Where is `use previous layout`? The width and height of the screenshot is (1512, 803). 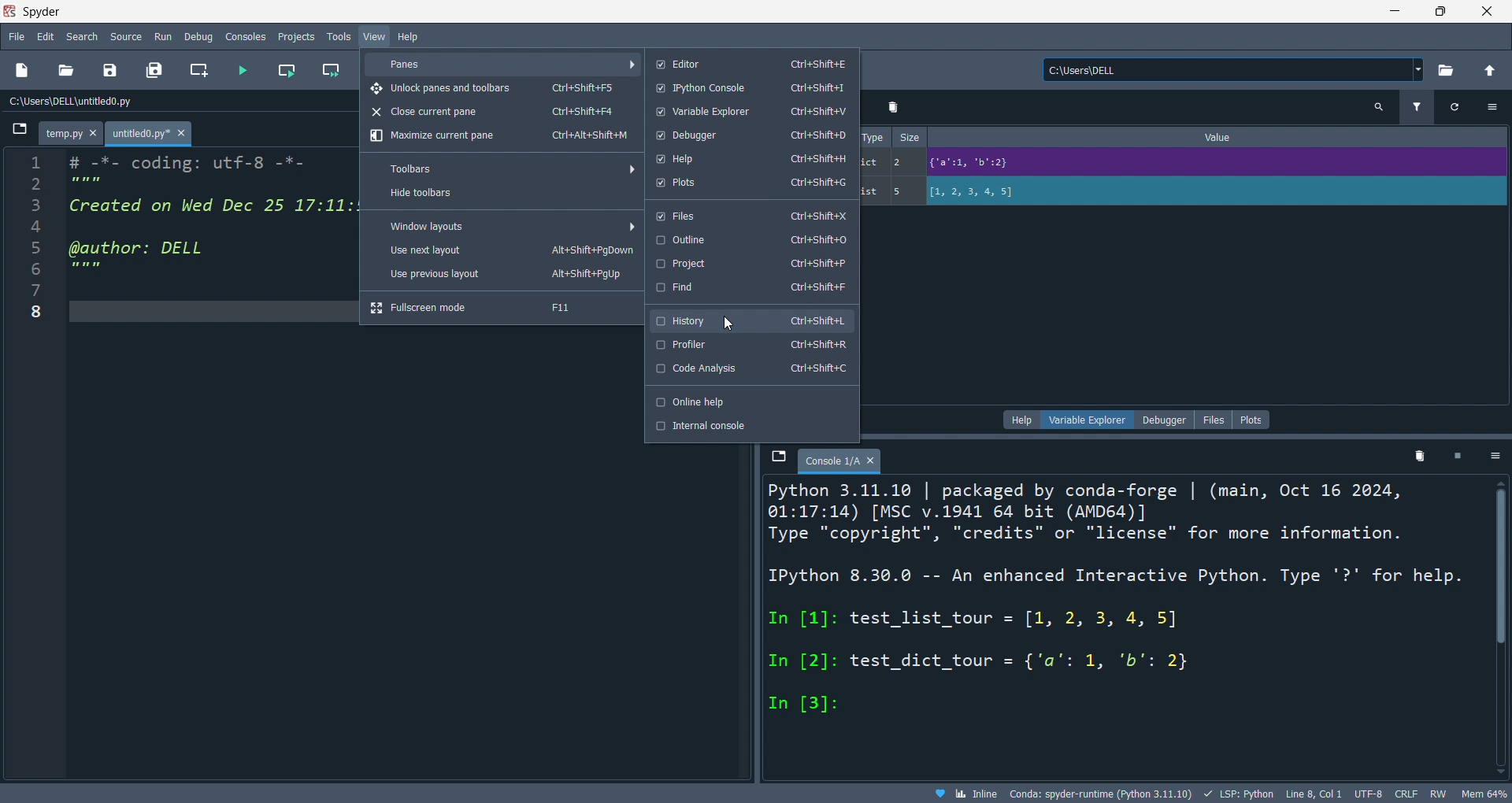 use previous layout is located at coordinates (502, 276).